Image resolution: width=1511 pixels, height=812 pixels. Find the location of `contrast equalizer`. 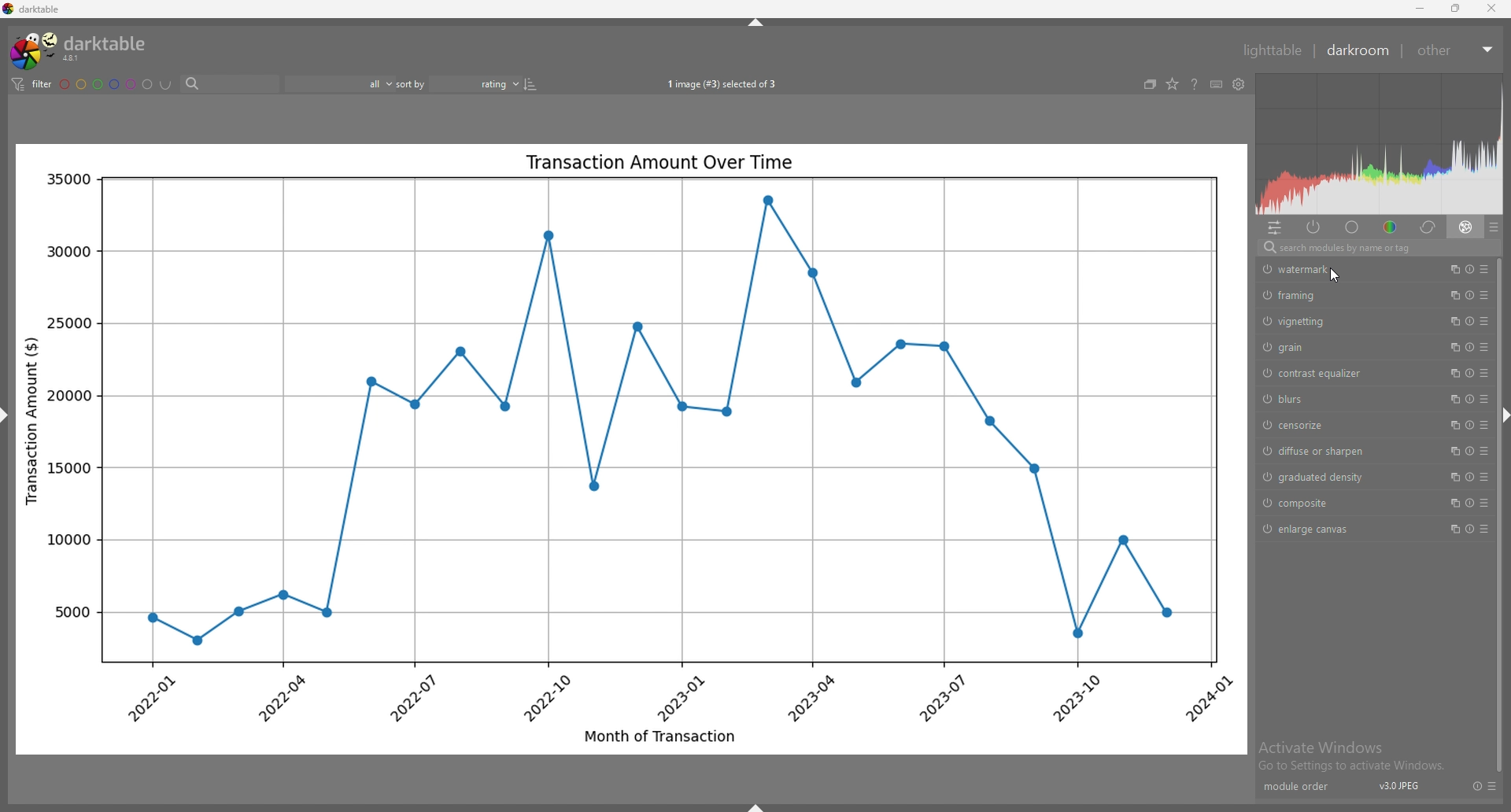

contrast equalizer is located at coordinates (1341, 373).